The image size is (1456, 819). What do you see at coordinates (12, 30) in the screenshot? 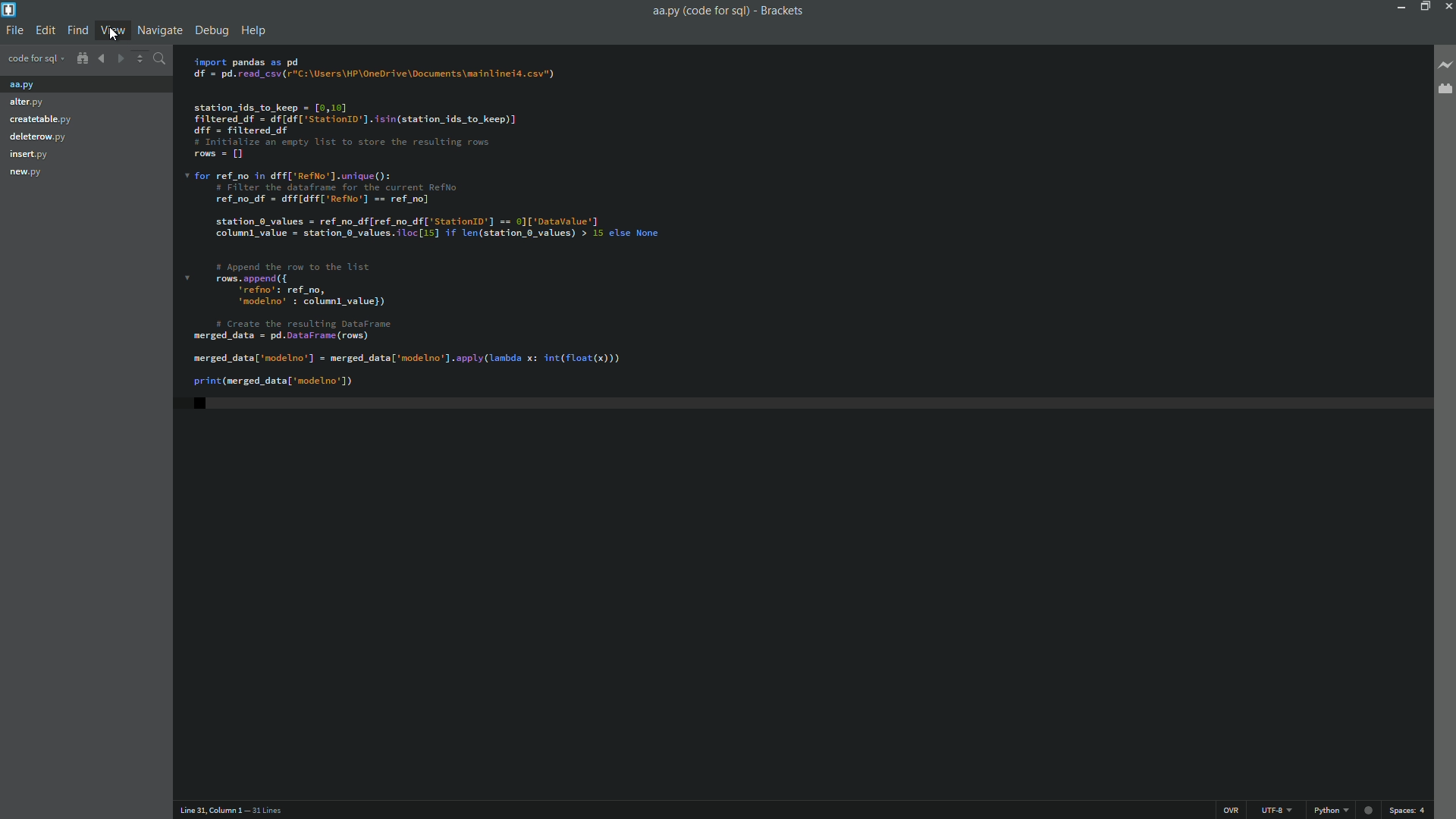
I see `file menu` at bounding box center [12, 30].